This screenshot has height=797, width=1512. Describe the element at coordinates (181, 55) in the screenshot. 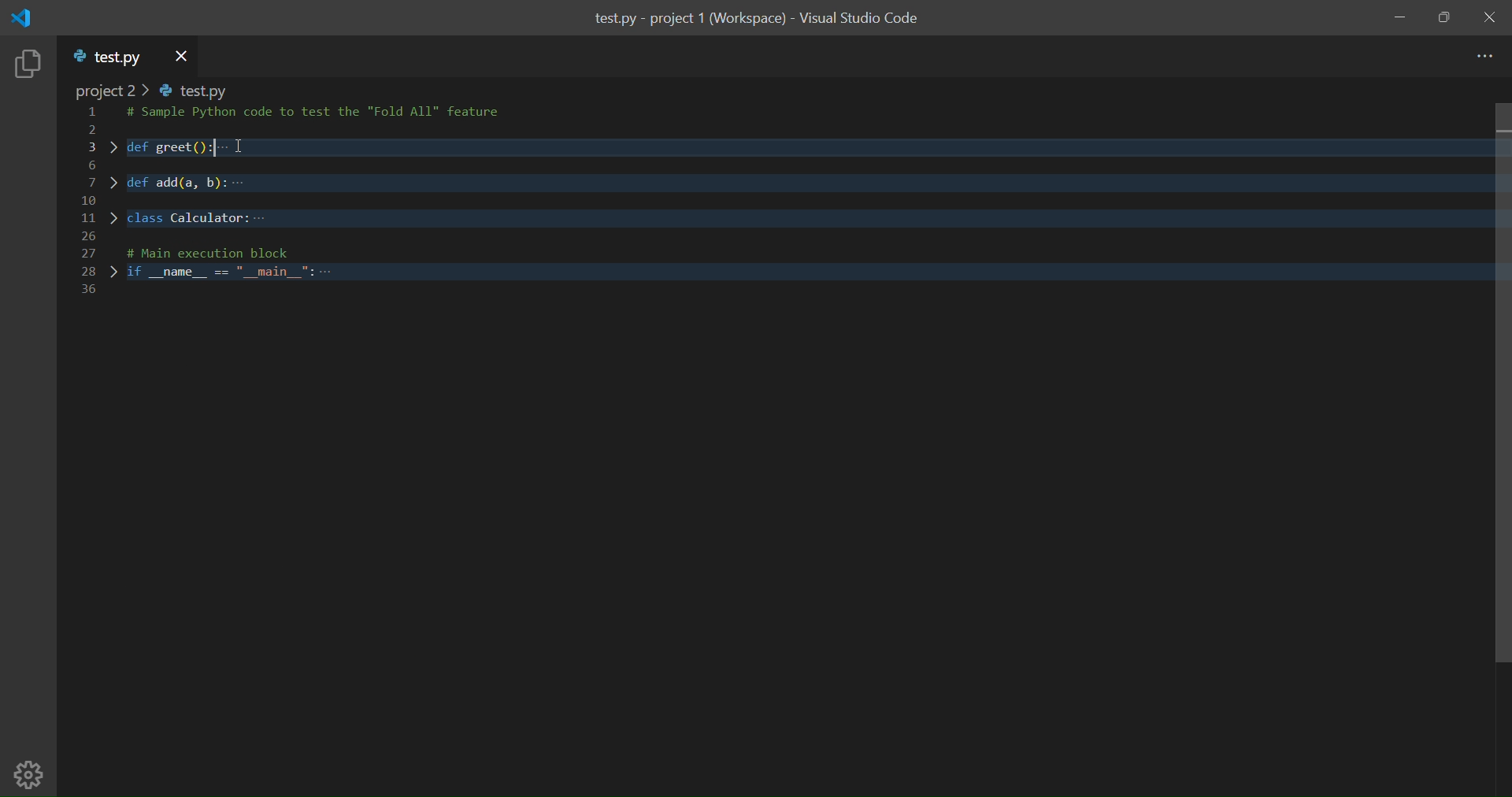

I see `close file` at that location.